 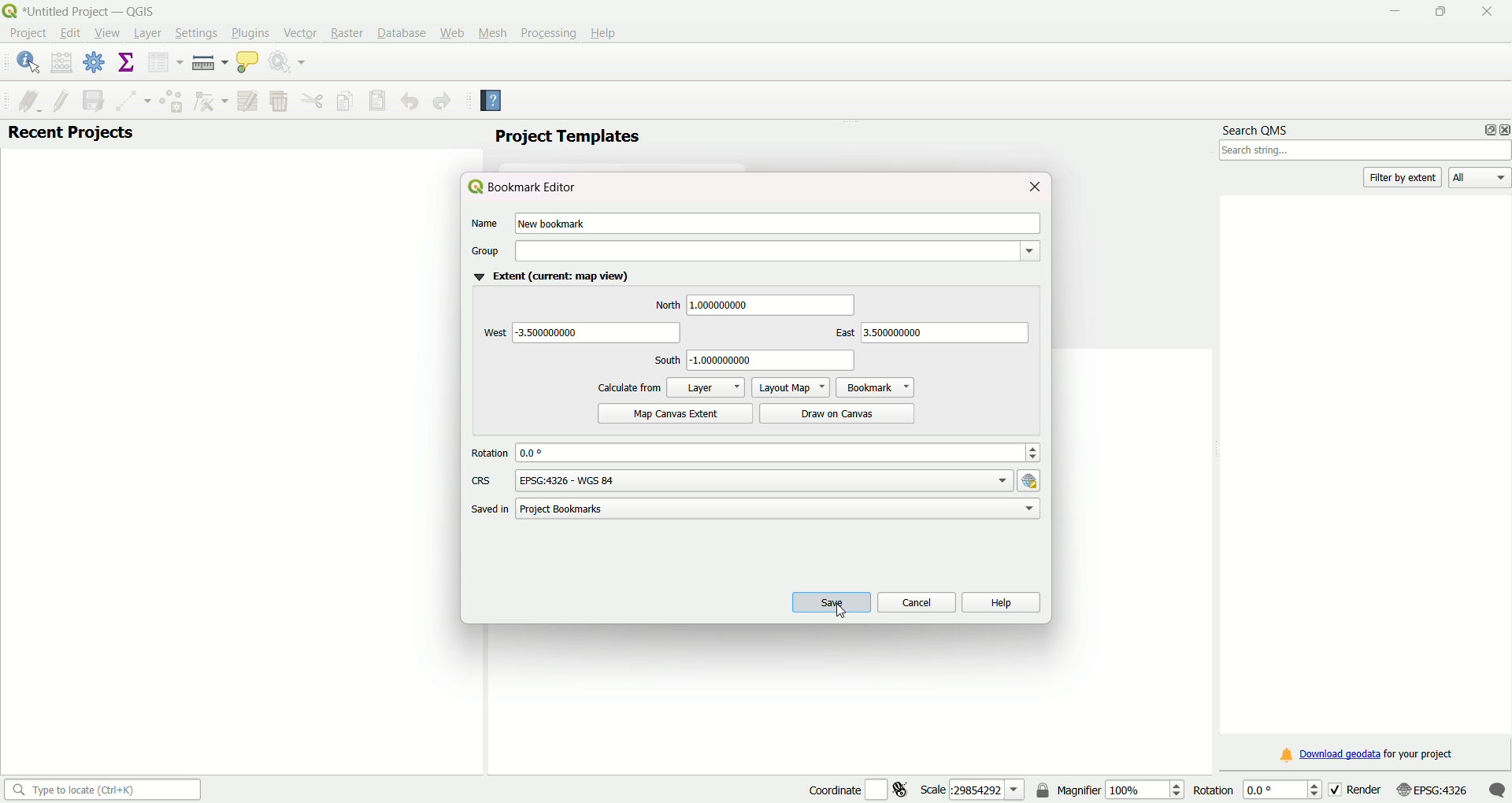 What do you see at coordinates (346, 33) in the screenshot?
I see `Raster` at bounding box center [346, 33].